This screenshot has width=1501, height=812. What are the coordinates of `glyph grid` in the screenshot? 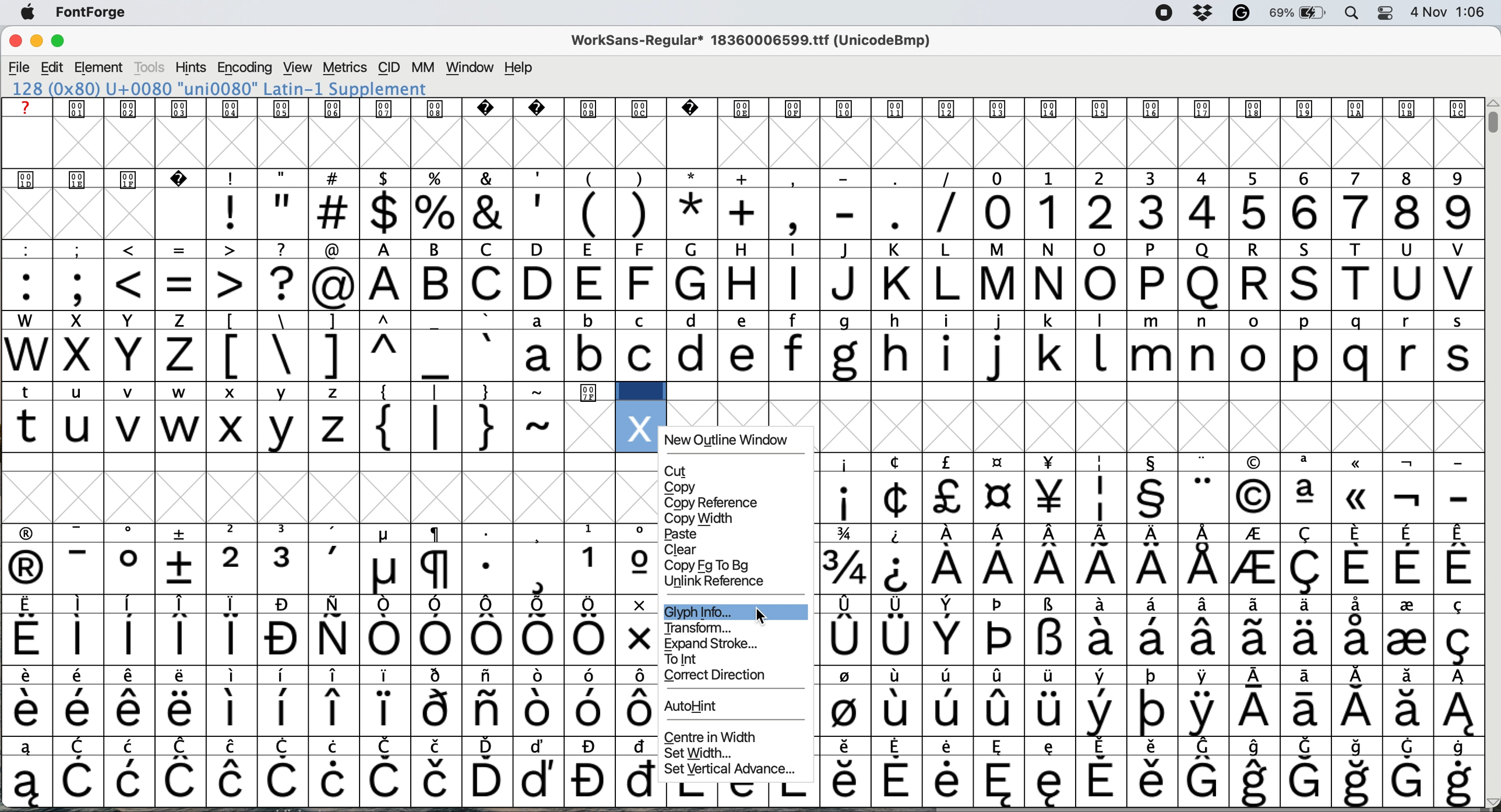 It's located at (108, 217).